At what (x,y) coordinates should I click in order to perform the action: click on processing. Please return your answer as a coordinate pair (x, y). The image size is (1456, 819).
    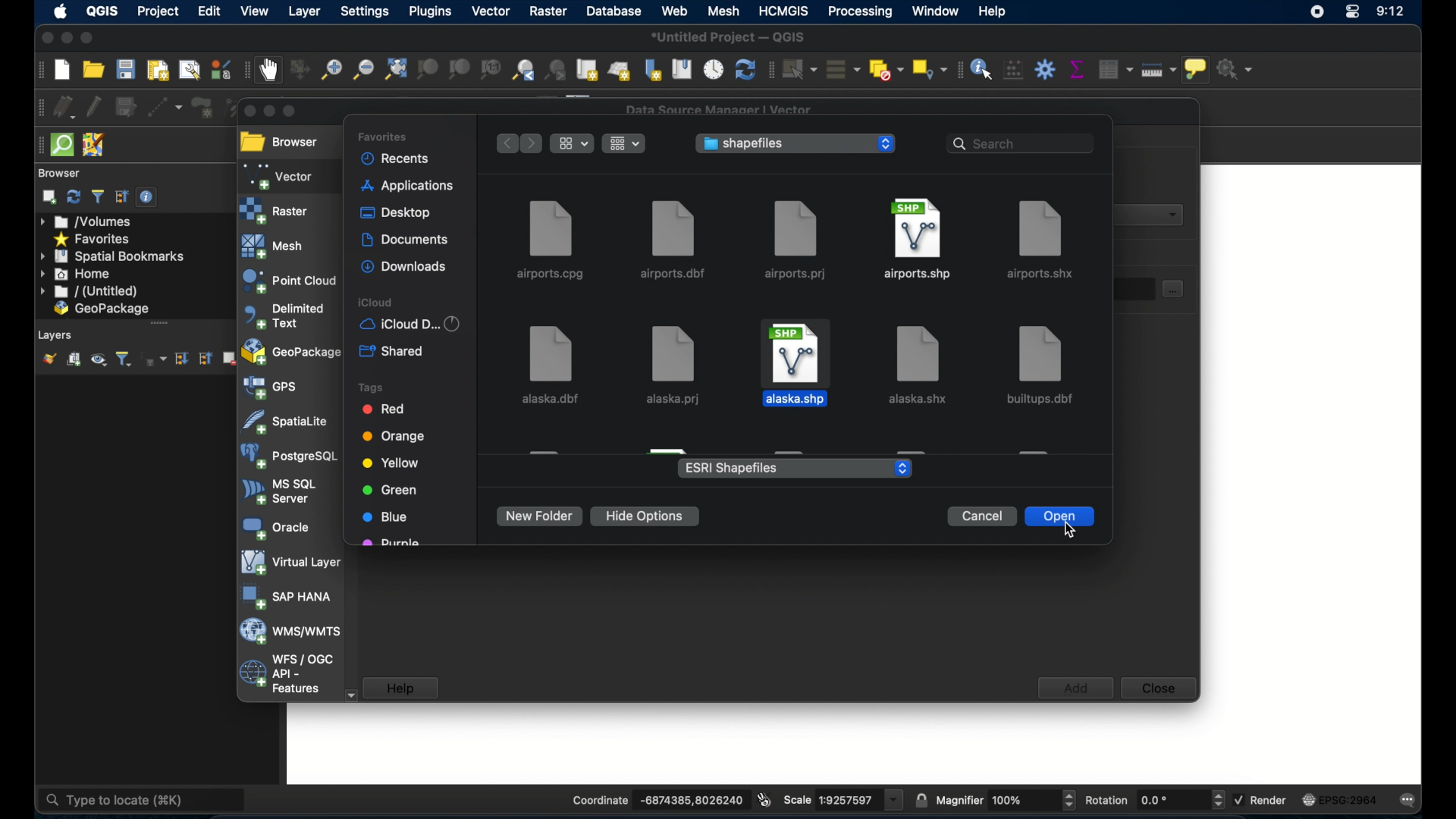
    Looking at the image, I should click on (862, 13).